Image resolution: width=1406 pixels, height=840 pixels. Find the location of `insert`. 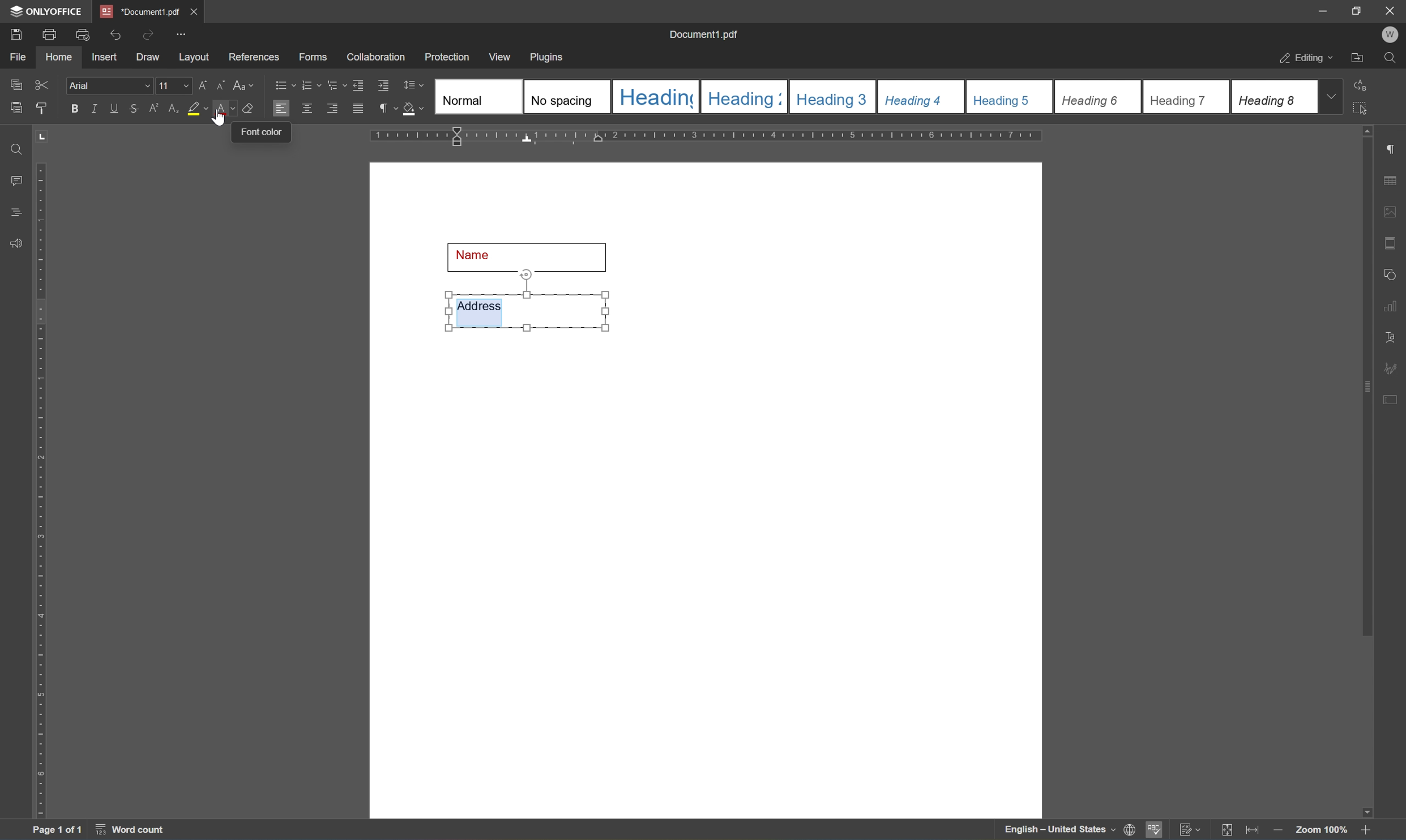

insert is located at coordinates (110, 58).